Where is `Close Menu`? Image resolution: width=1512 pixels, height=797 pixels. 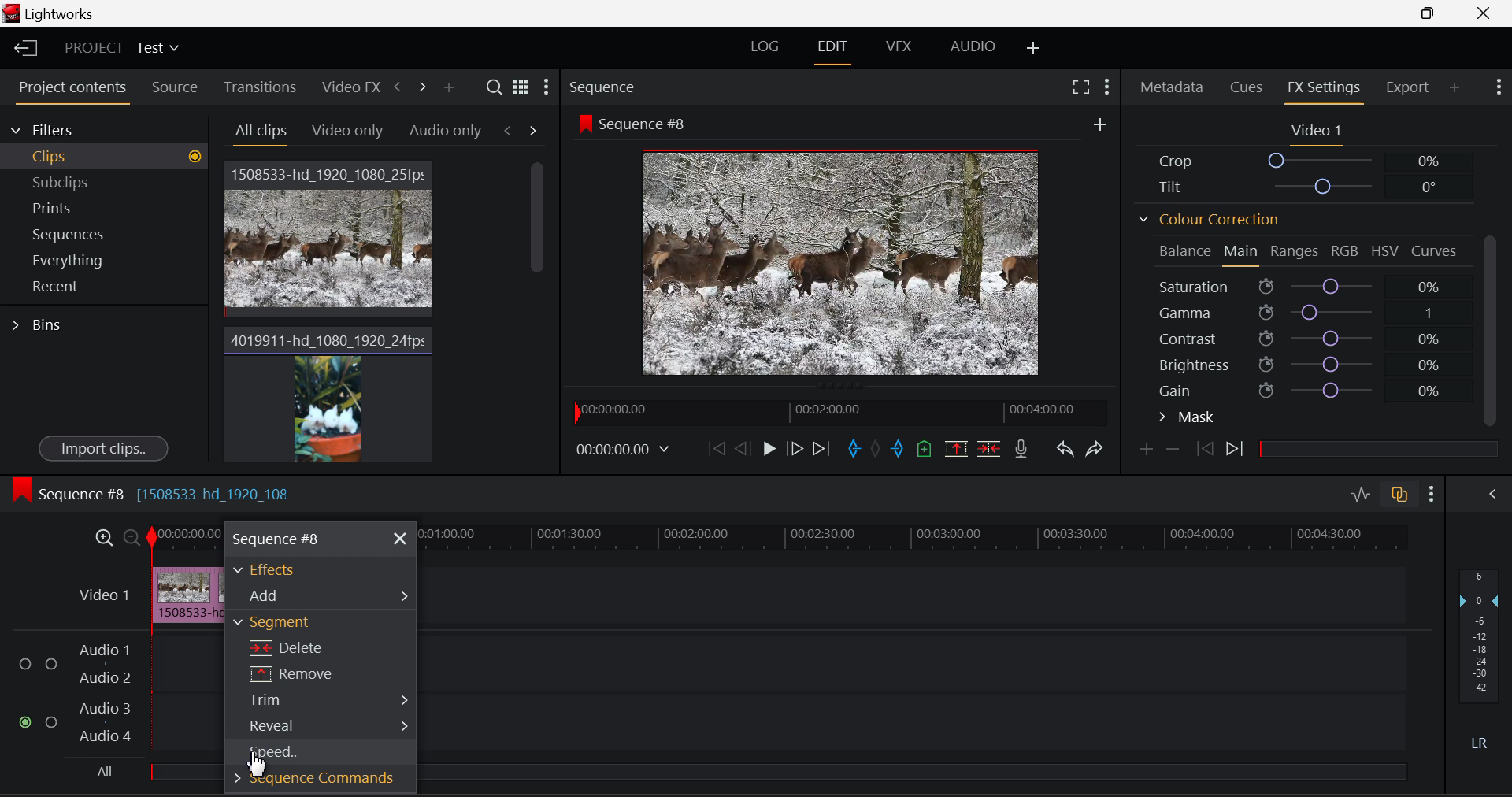
Close Menu is located at coordinates (398, 539).